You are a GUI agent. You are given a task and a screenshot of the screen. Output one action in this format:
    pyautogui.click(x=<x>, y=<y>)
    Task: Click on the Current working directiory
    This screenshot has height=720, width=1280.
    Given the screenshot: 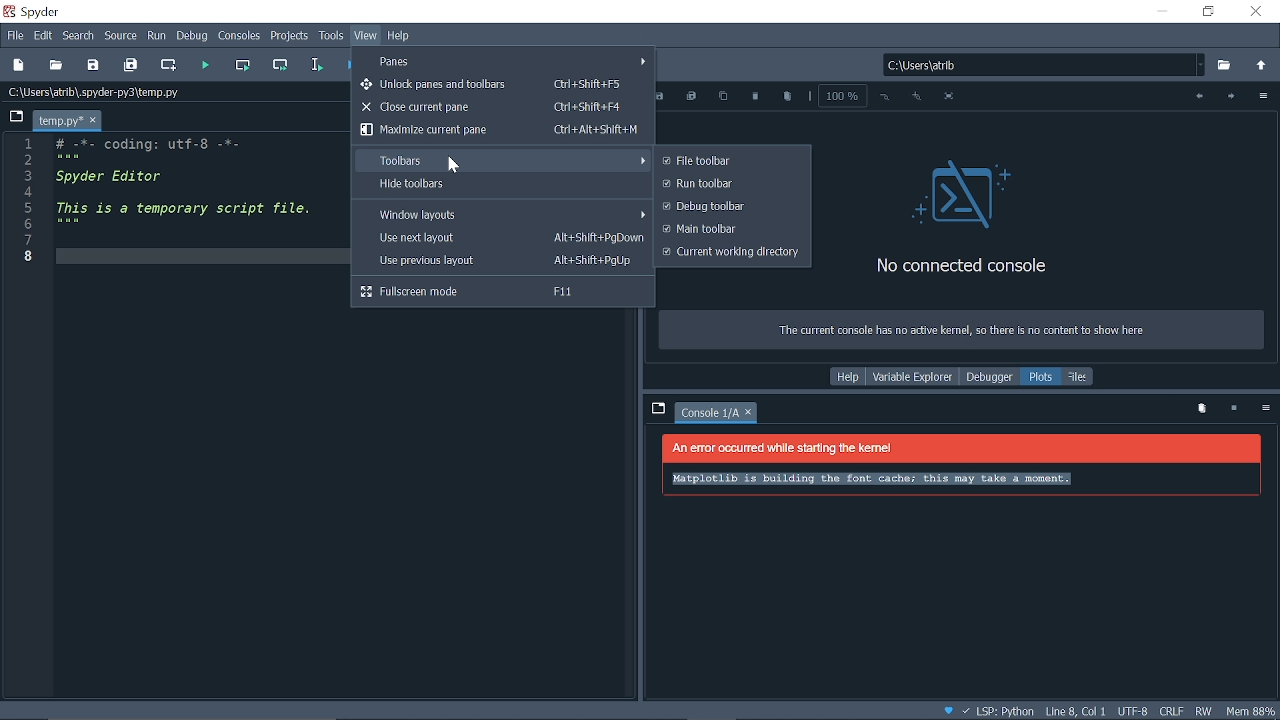 What is the action you would take?
    pyautogui.click(x=730, y=253)
    